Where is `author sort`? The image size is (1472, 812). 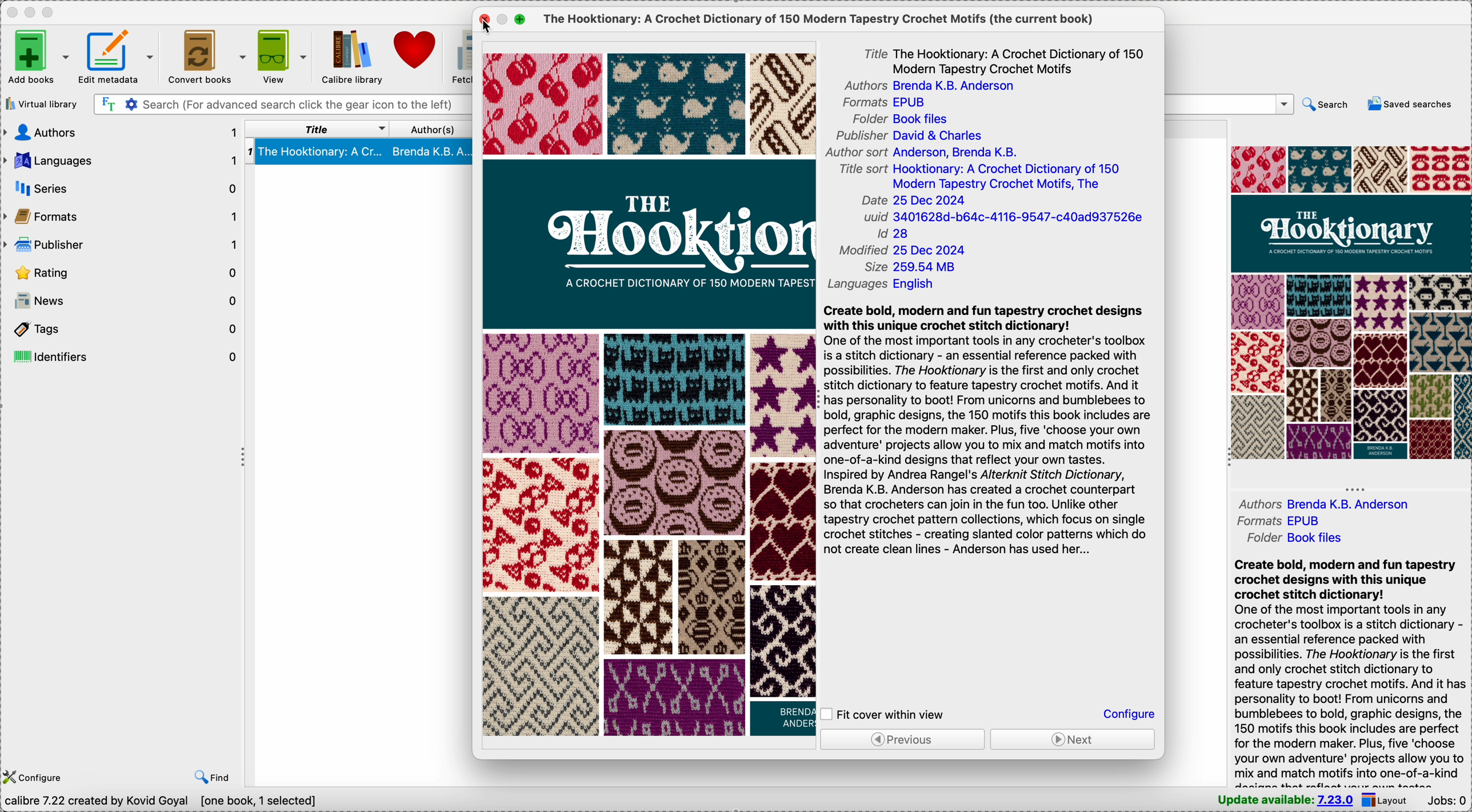 author sort is located at coordinates (924, 152).